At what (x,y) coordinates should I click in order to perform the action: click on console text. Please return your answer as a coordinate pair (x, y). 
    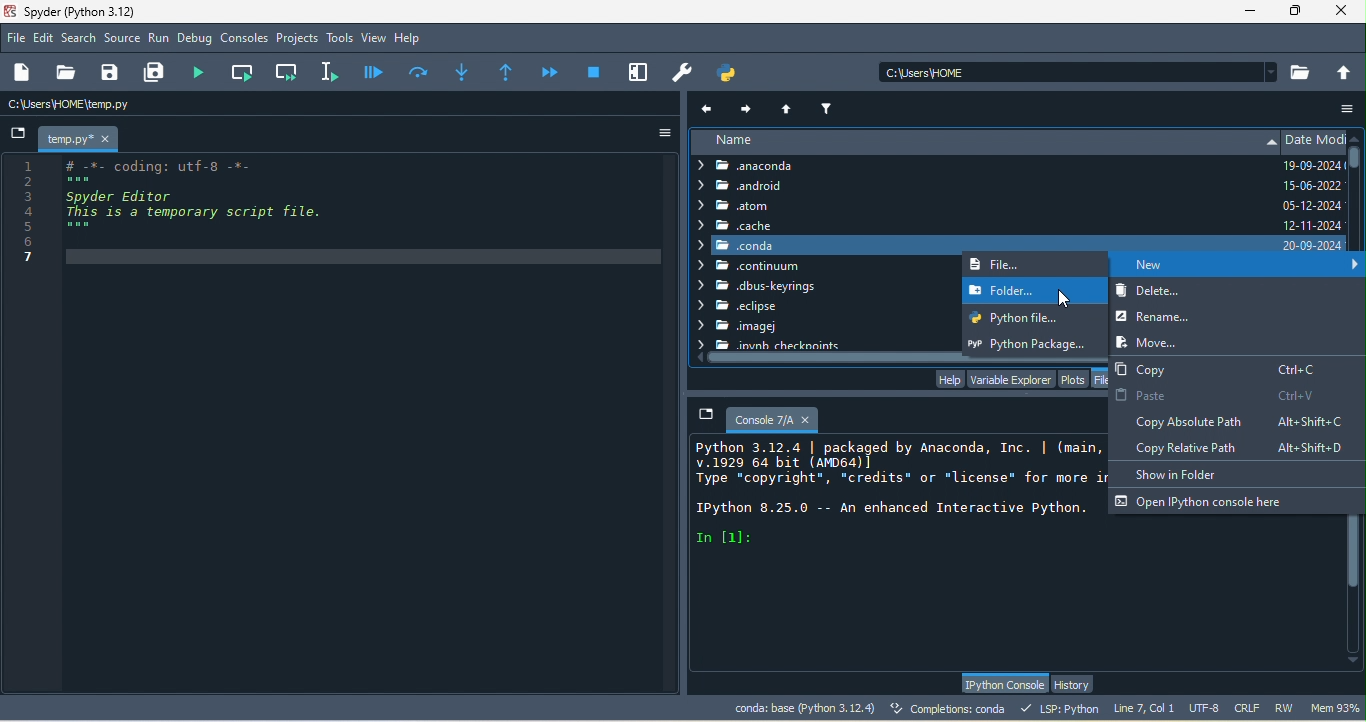
    Looking at the image, I should click on (898, 493).